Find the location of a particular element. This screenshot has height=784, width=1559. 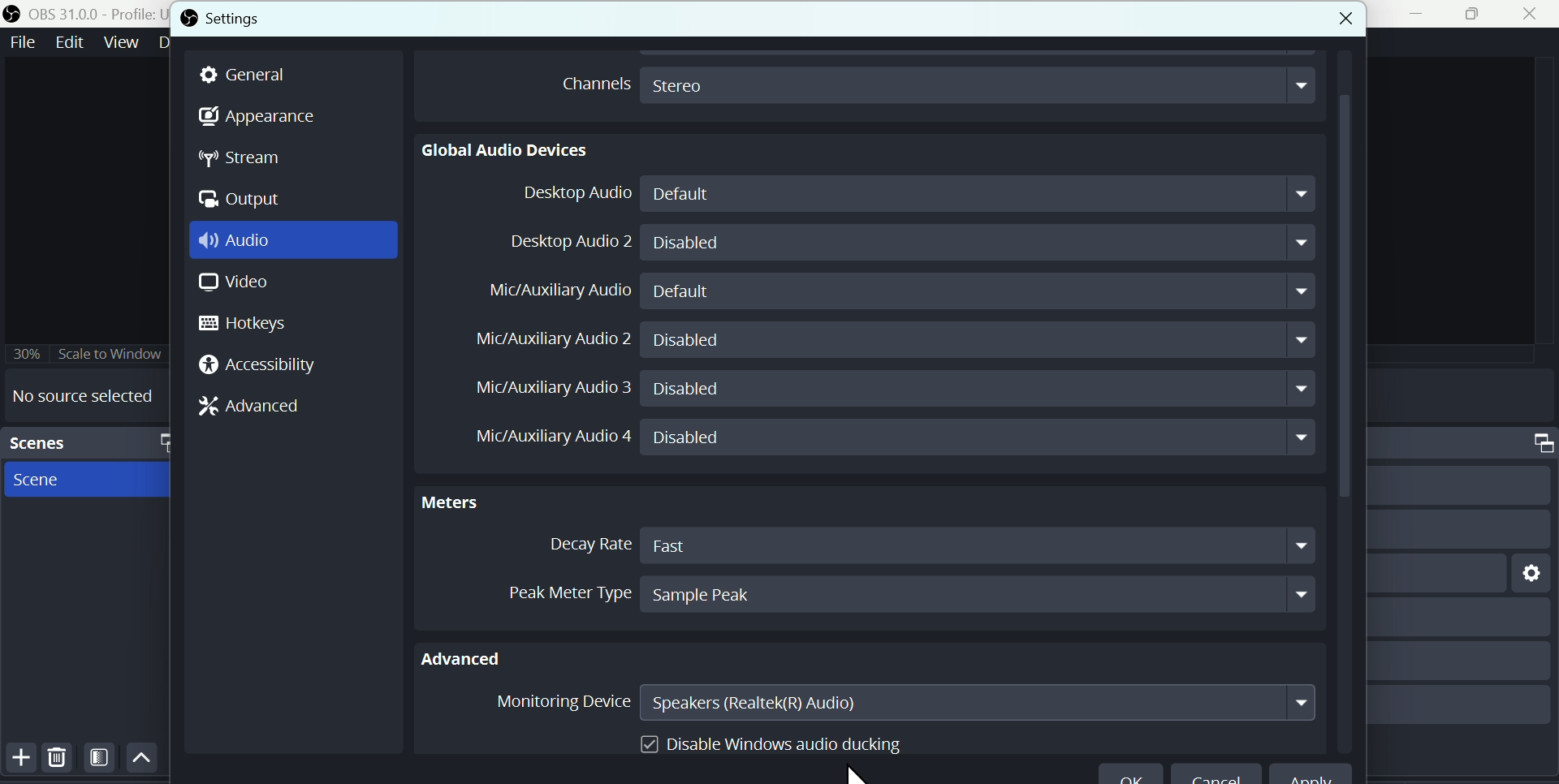

30% is located at coordinates (26, 351).